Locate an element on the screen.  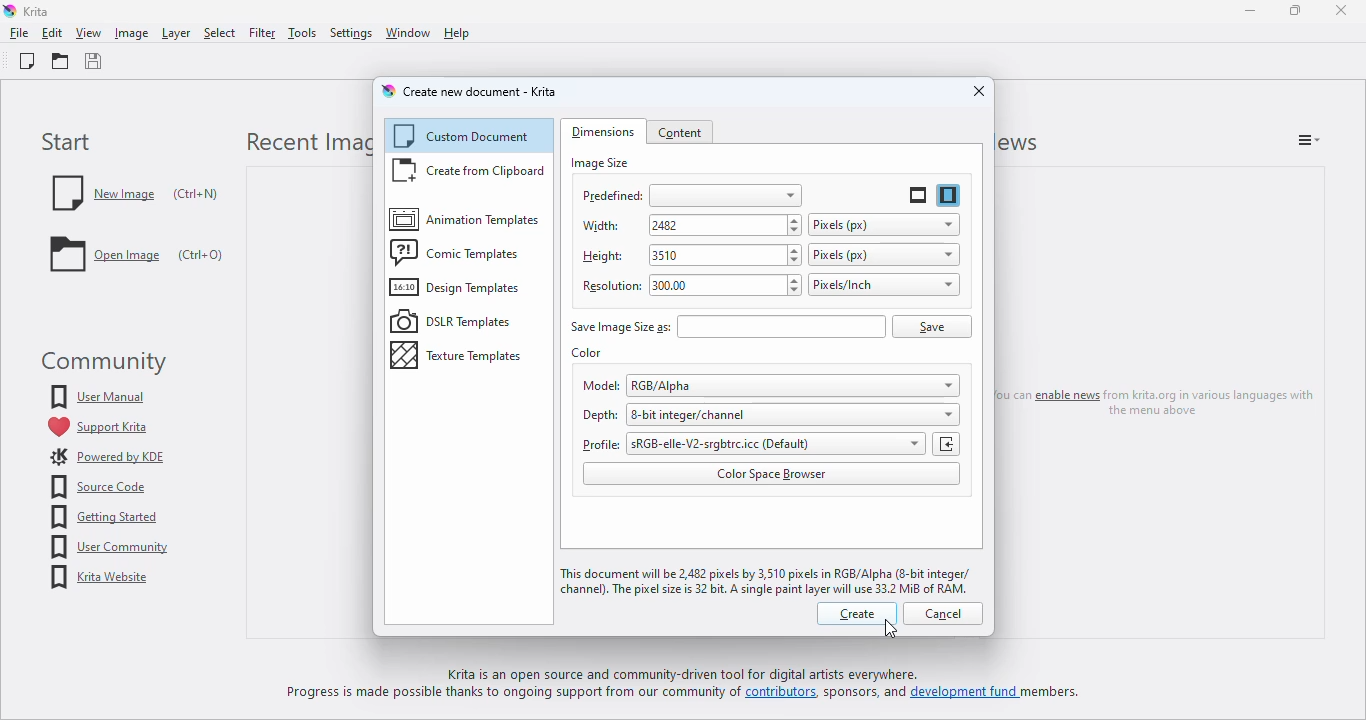
start is located at coordinates (67, 142).